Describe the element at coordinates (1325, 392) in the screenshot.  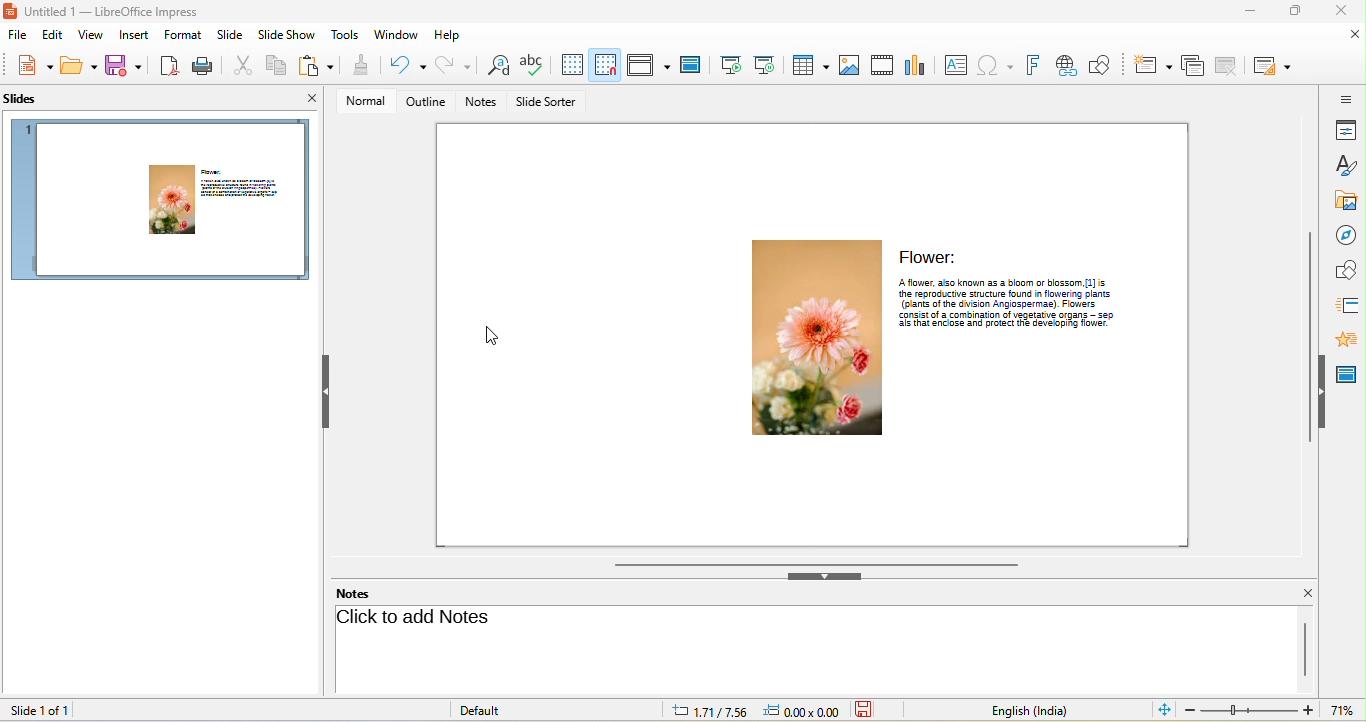
I see `hide` at that location.